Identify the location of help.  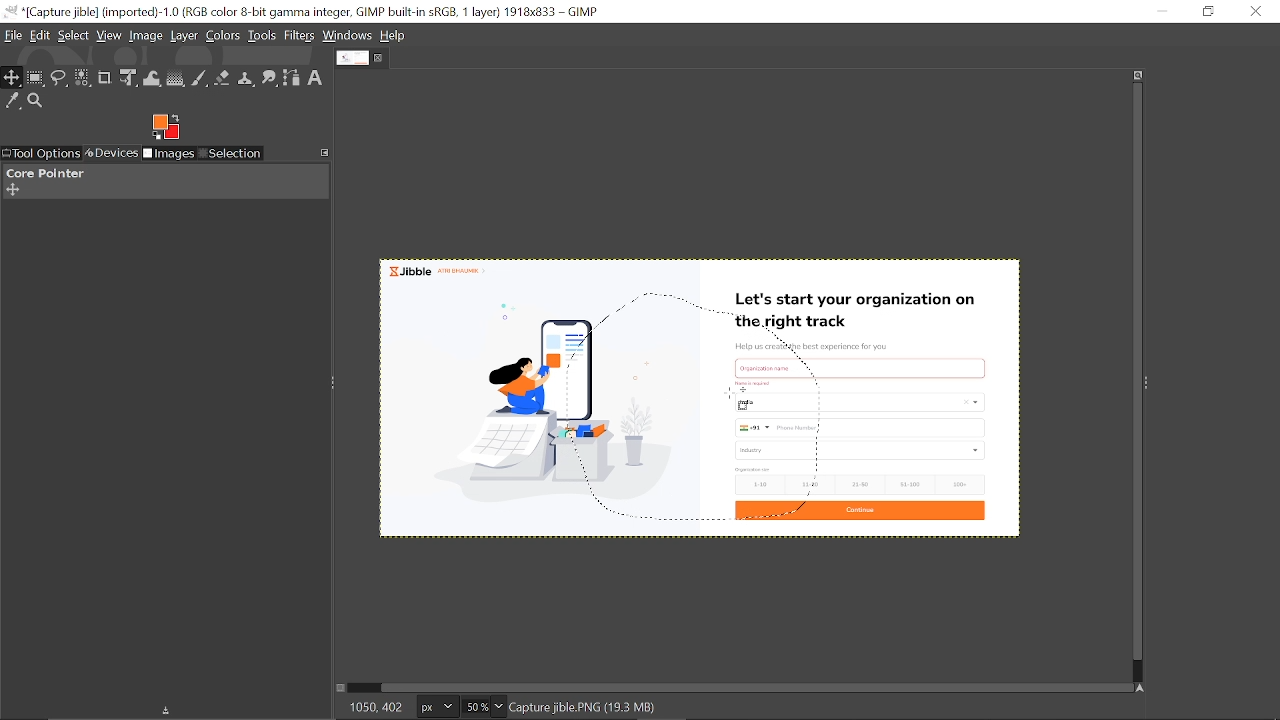
(394, 36).